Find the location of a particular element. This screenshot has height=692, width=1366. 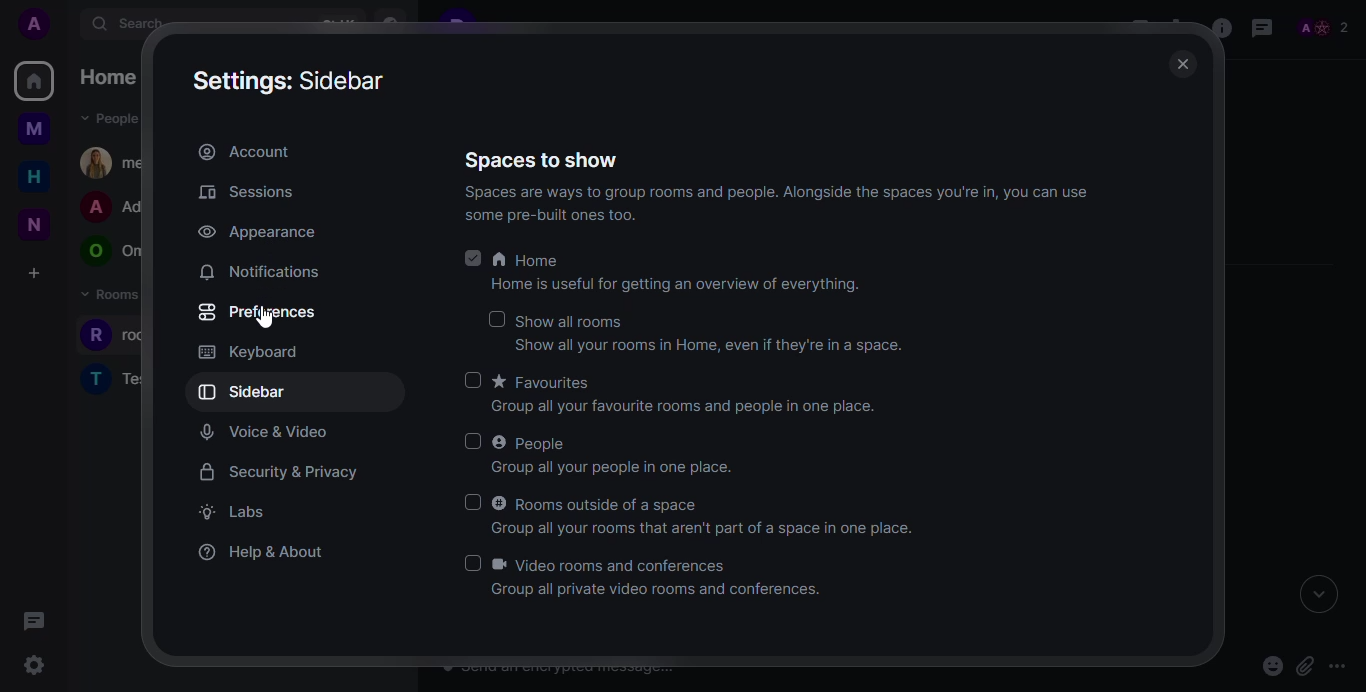

home is located at coordinates (33, 177).